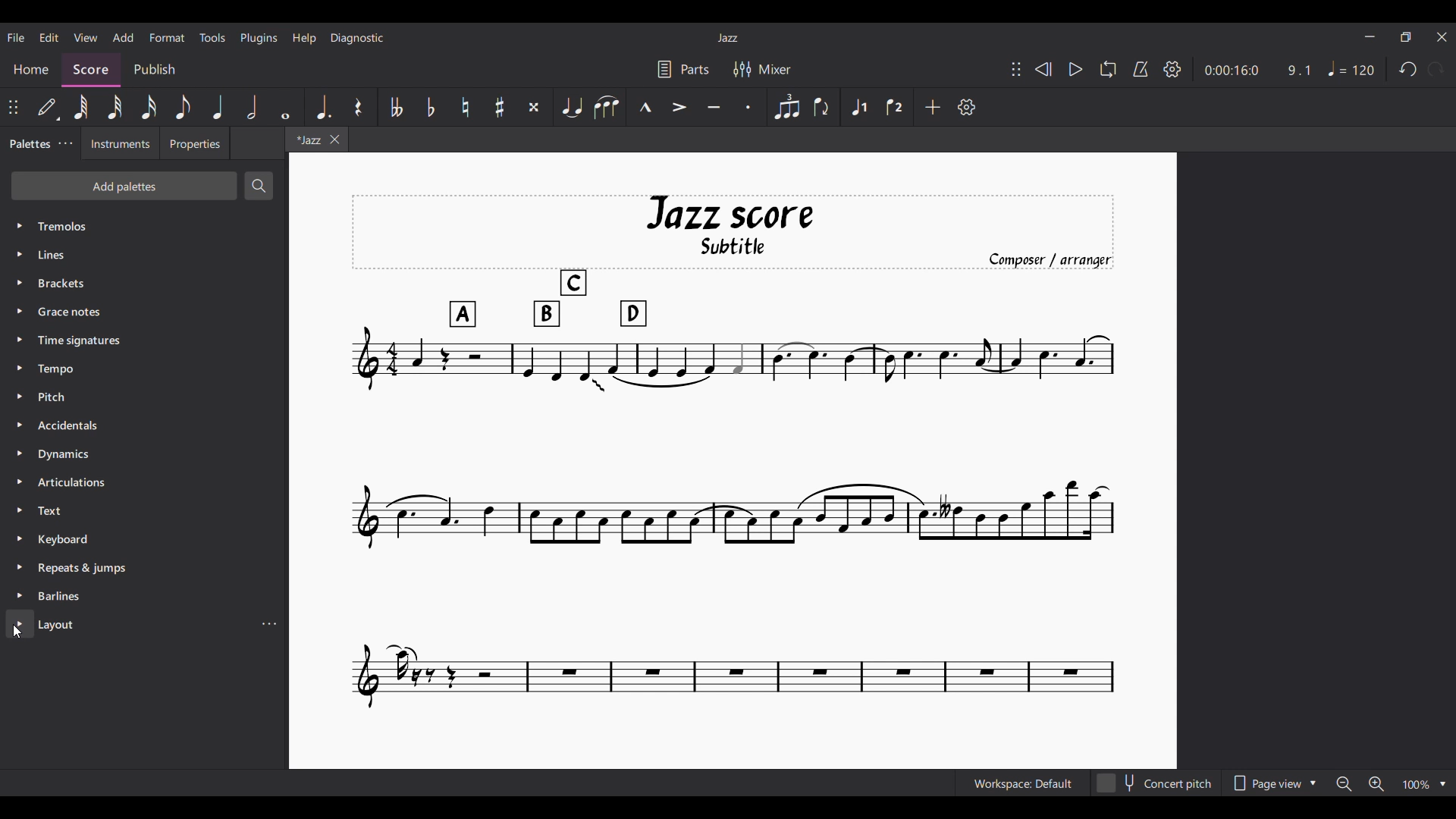  Describe the element at coordinates (65, 143) in the screenshot. I see `Palette settings` at that location.